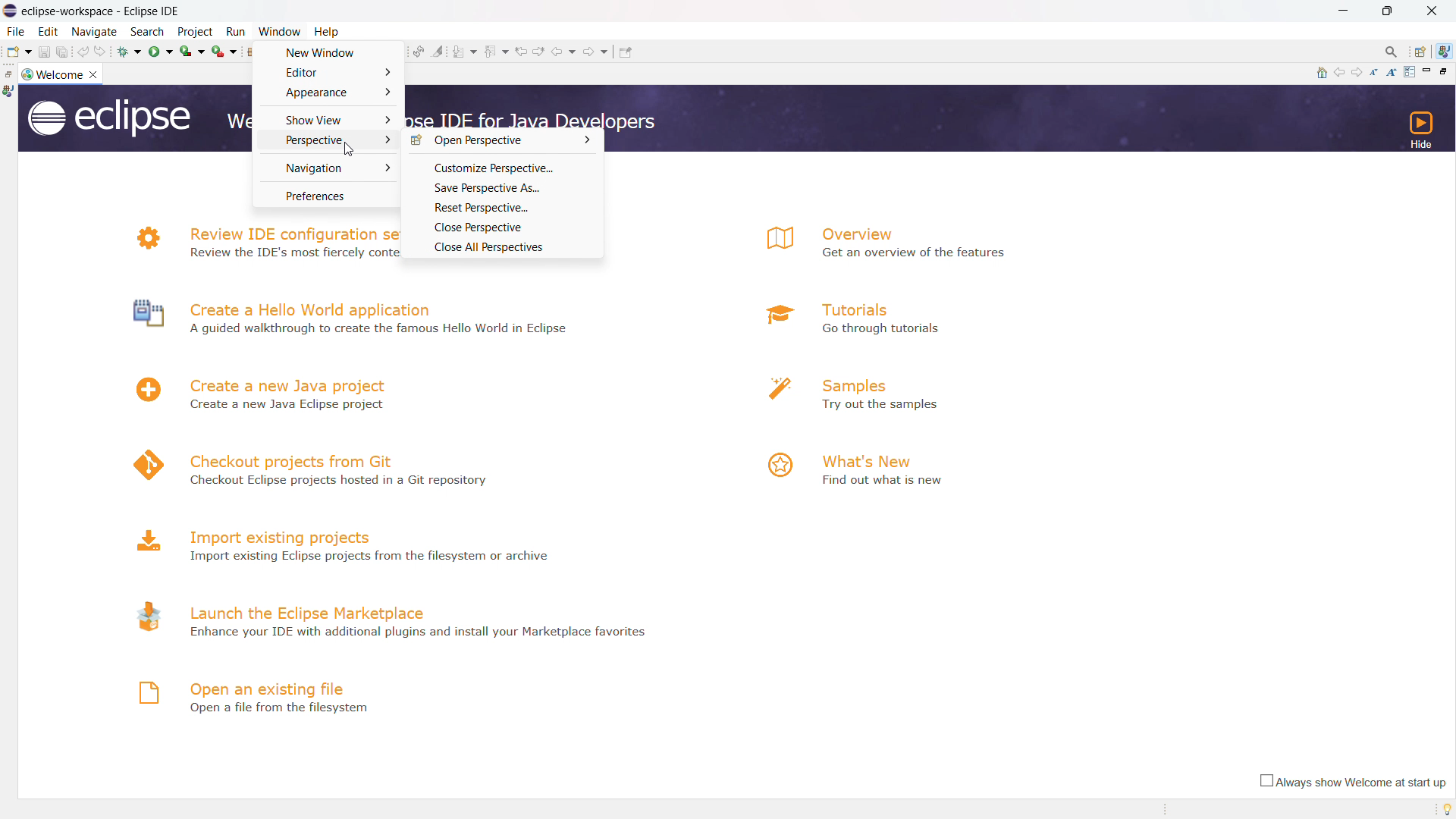  I want to click on logo, so click(772, 315).